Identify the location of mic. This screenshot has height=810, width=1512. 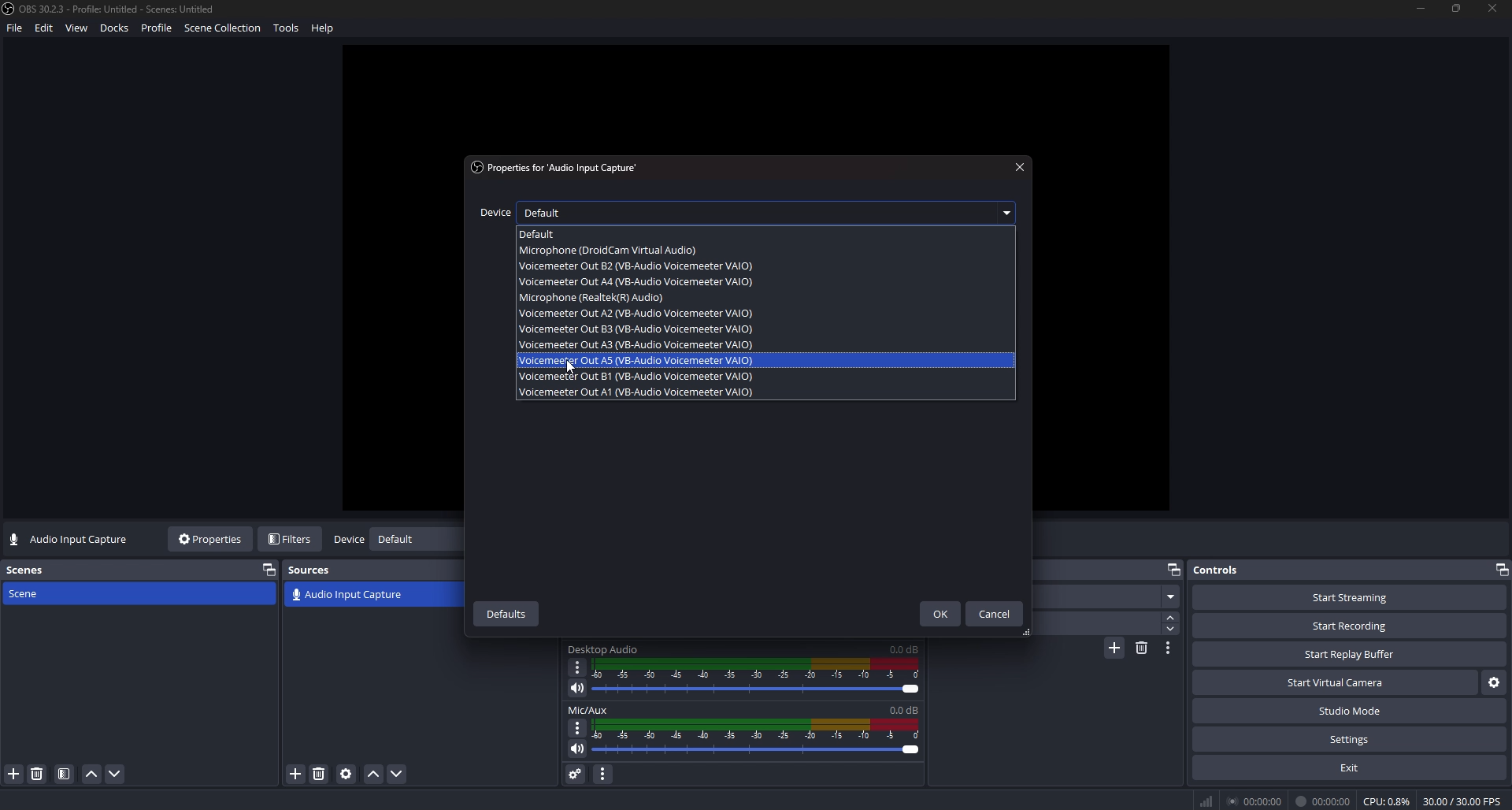
(598, 297).